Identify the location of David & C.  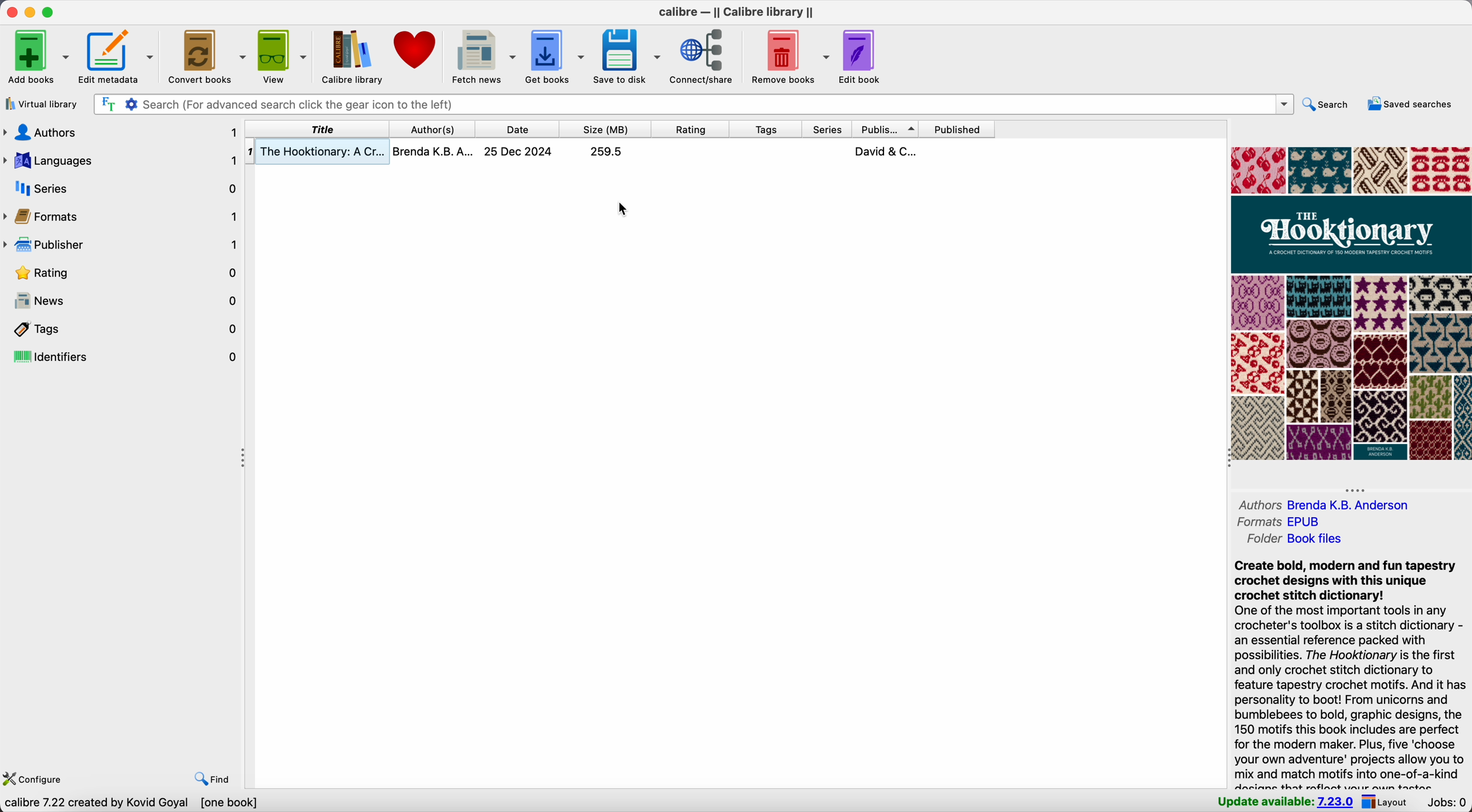
(887, 151).